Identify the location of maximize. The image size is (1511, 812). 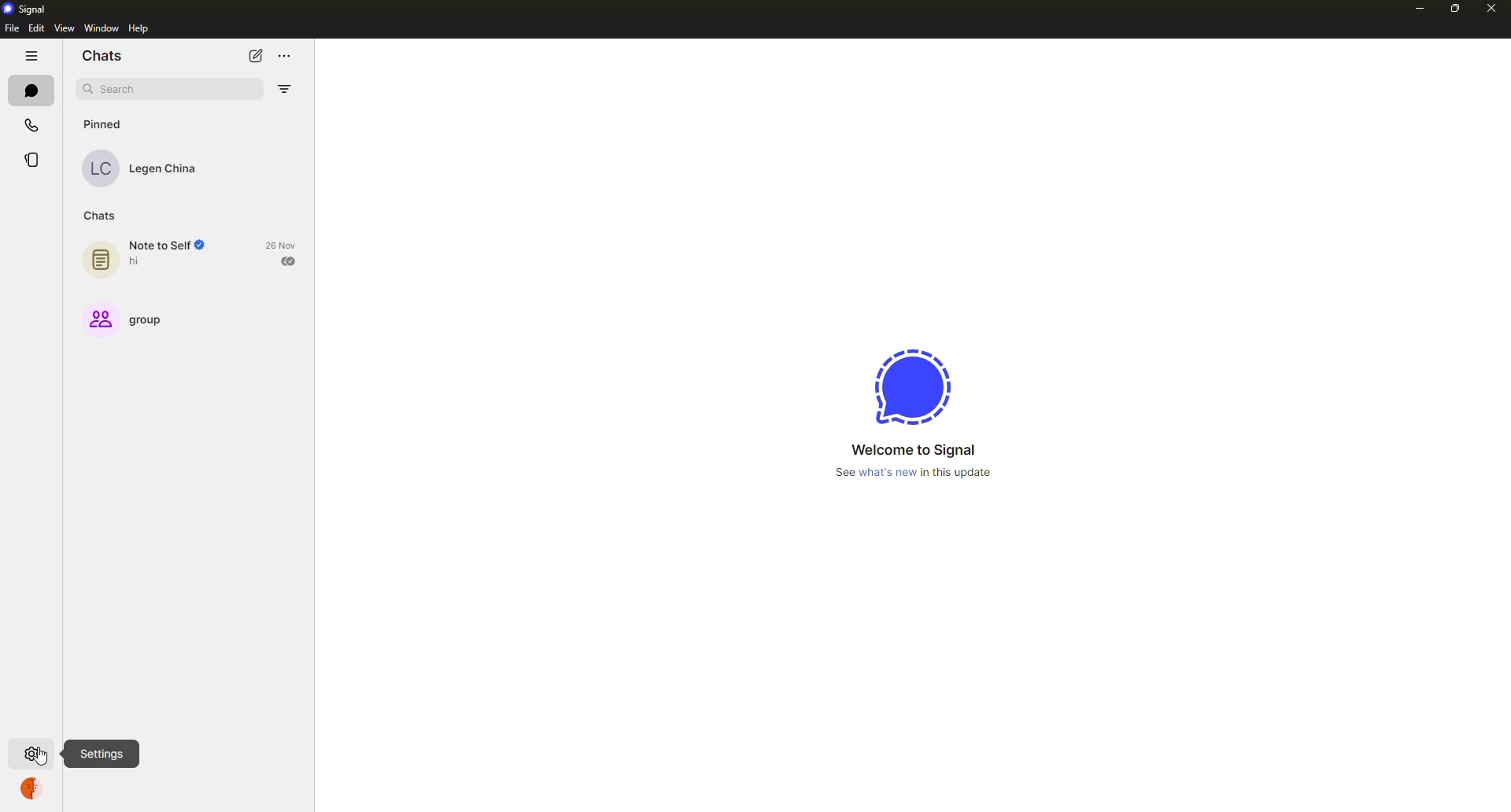
(1452, 9).